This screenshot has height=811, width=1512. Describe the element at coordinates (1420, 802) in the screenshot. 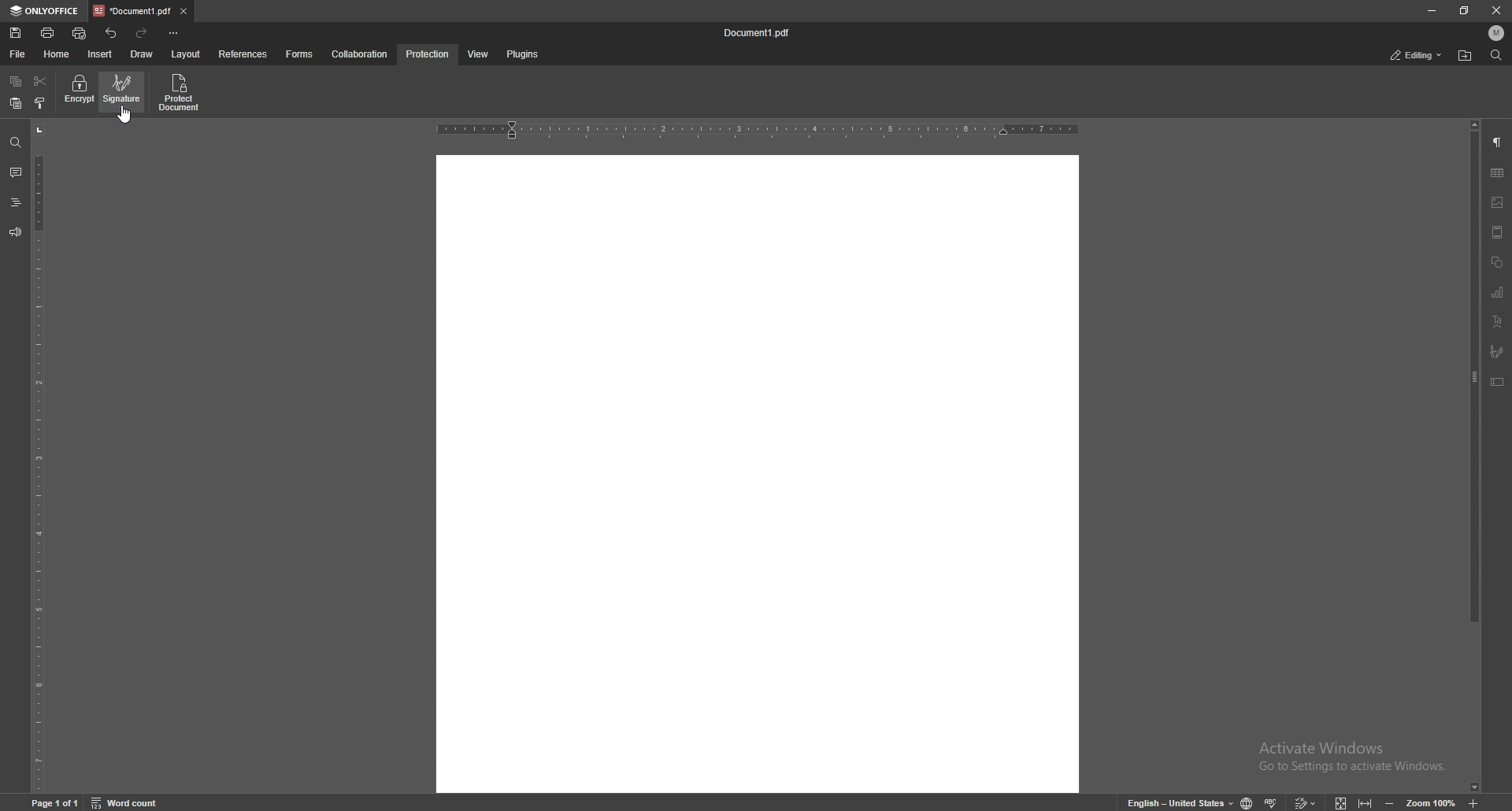

I see `zoom` at that location.